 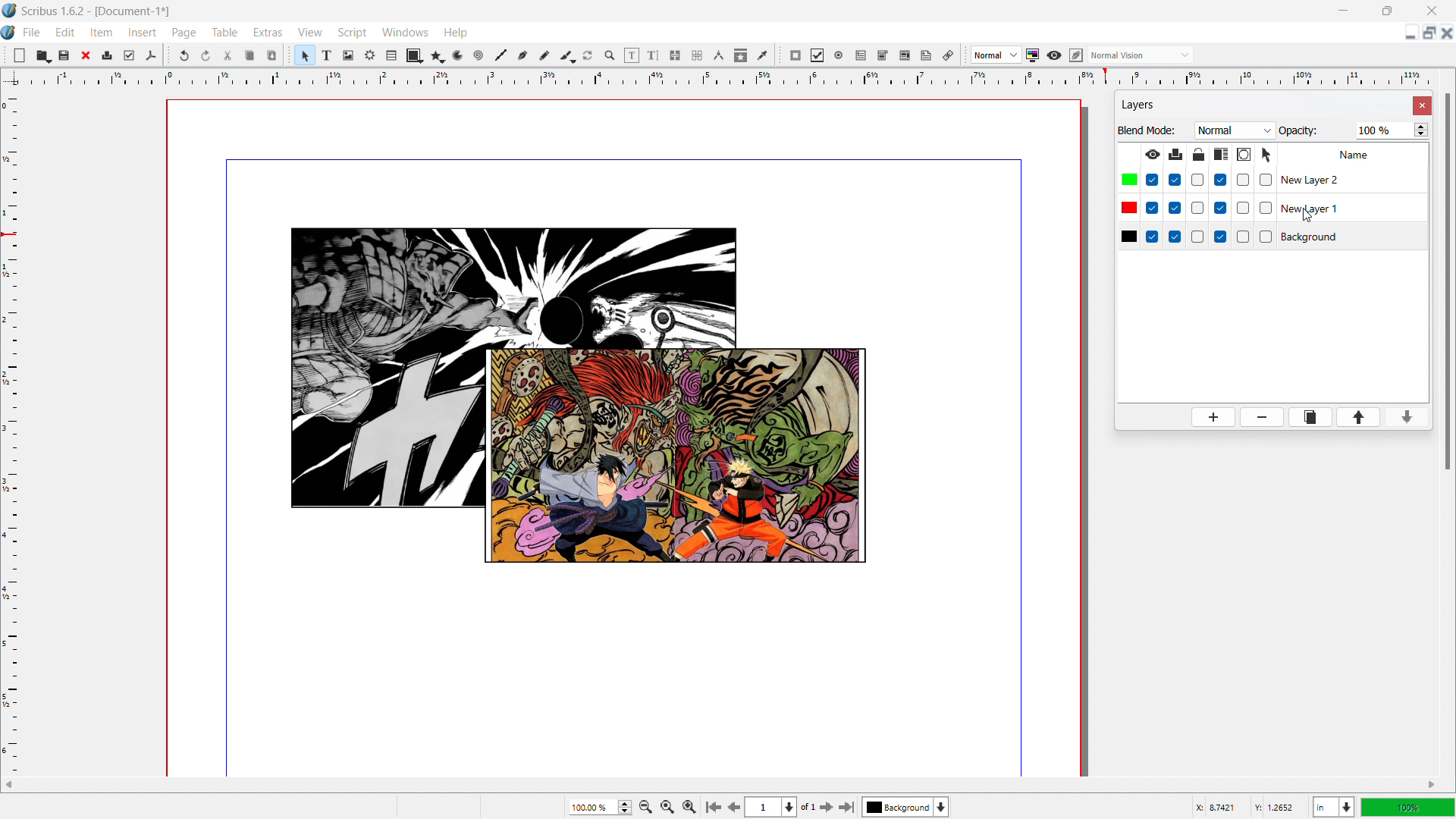 I want to click on zoom level, so click(x=1409, y=807).